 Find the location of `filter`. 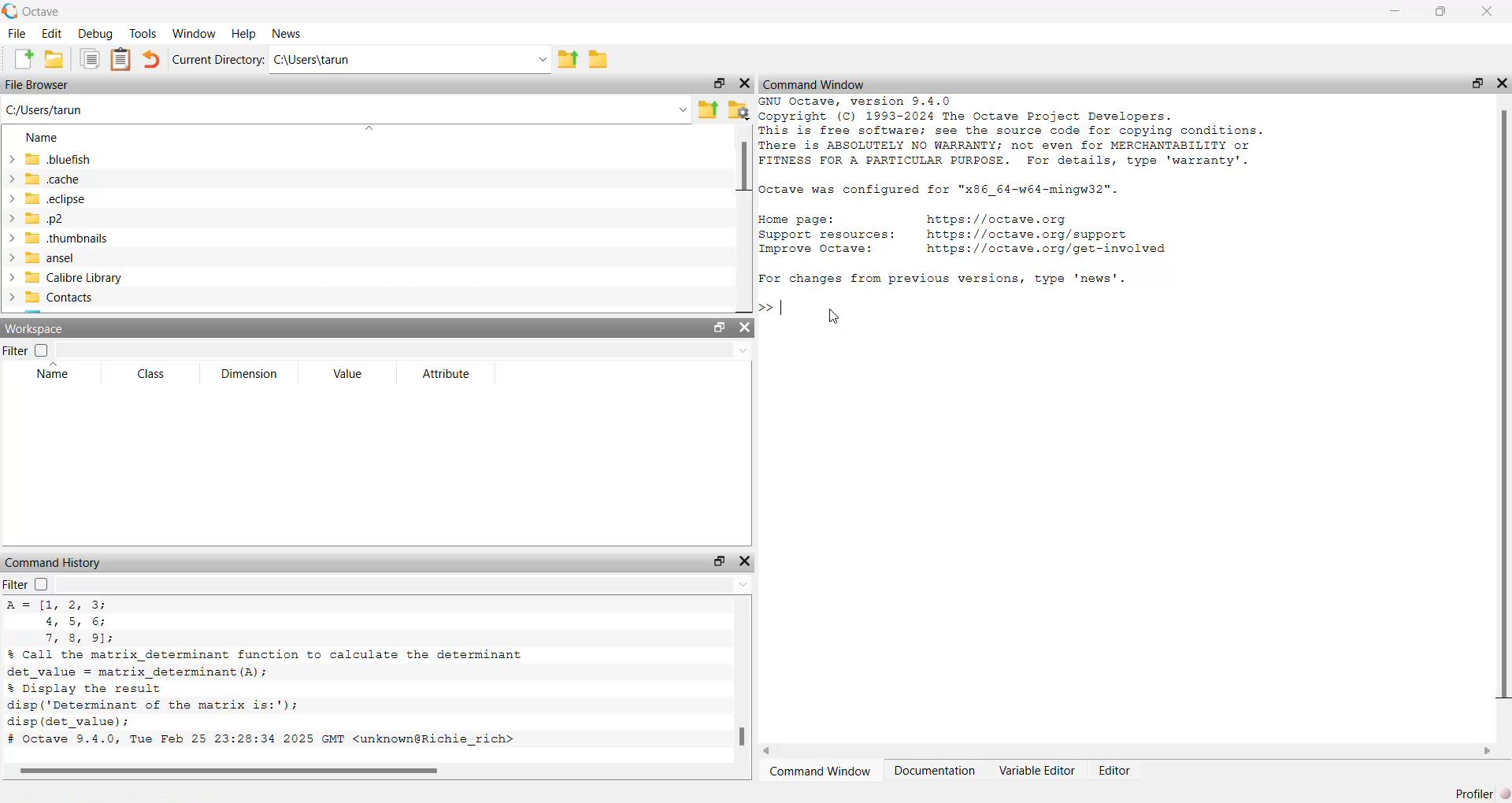

filter is located at coordinates (16, 350).